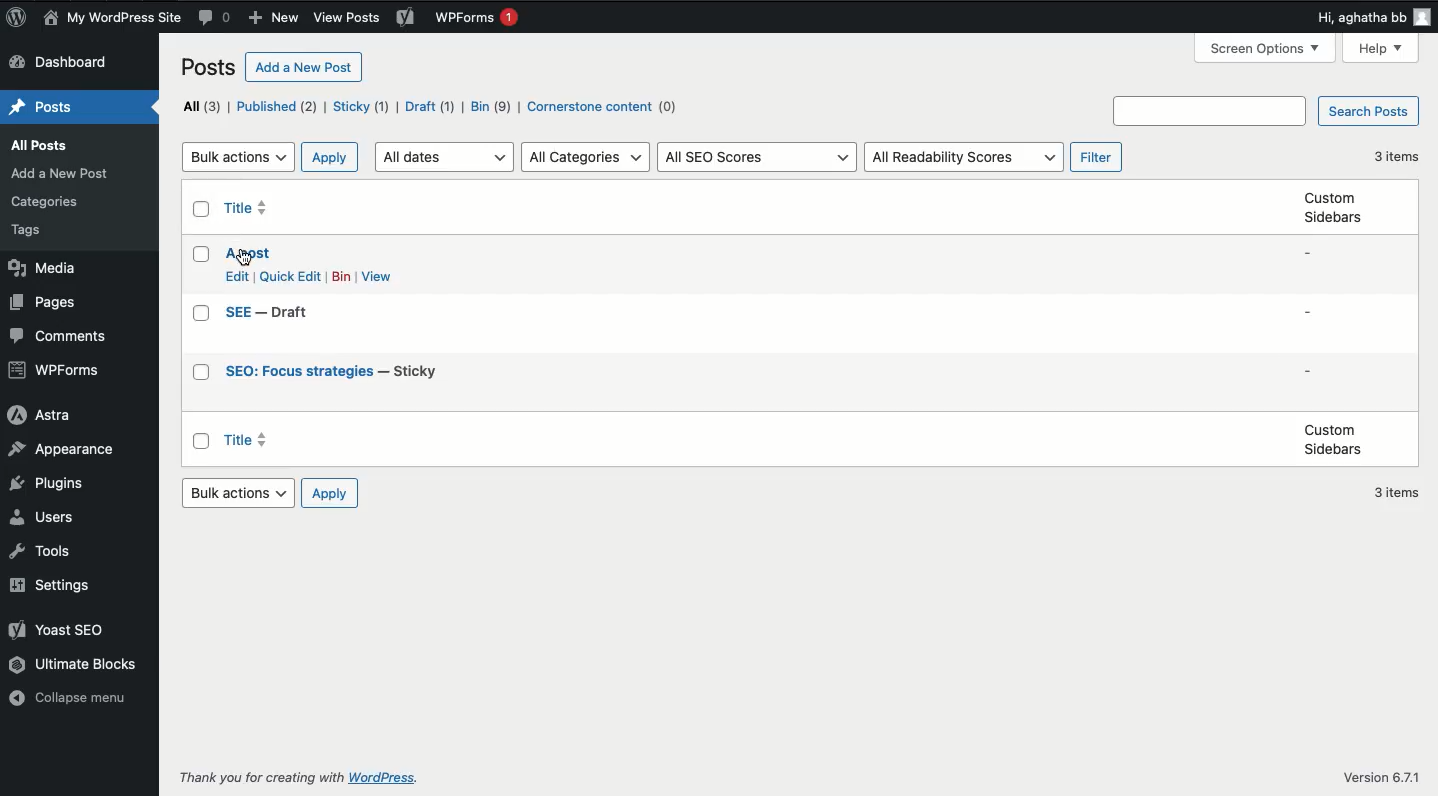 The image size is (1438, 796). I want to click on Hi user, so click(1342, 19).